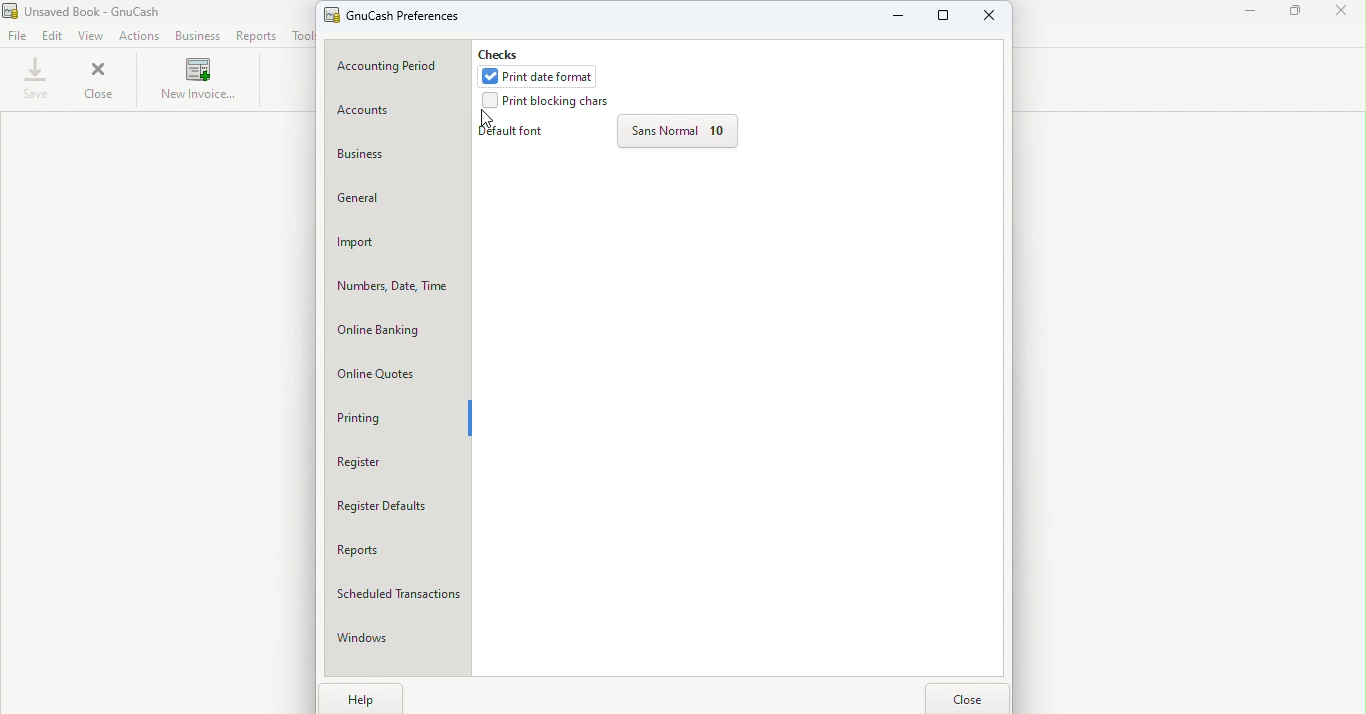  Describe the element at coordinates (989, 15) in the screenshot. I see `Close` at that location.